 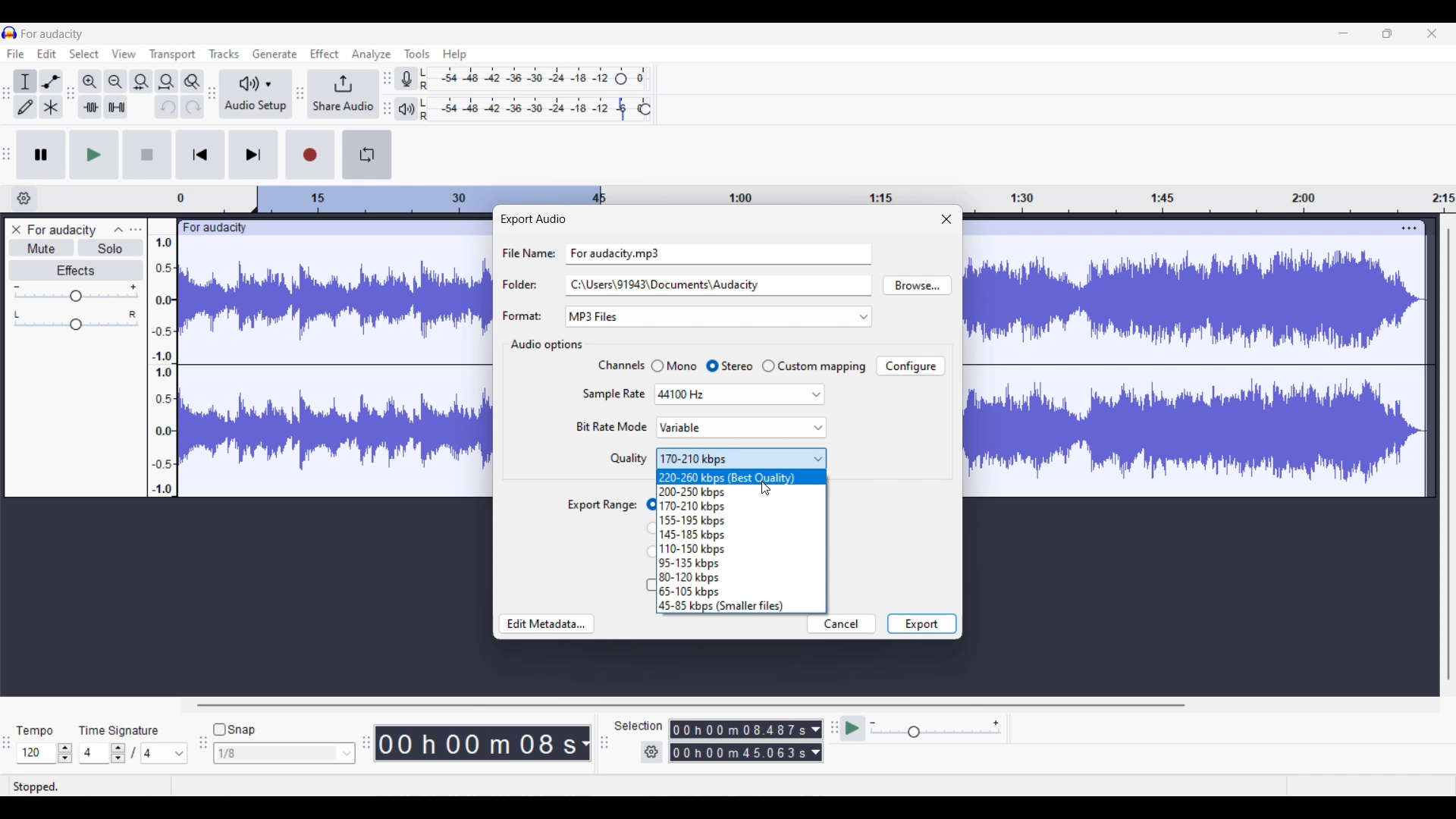 I want to click on Fit selection to width, so click(x=140, y=83).